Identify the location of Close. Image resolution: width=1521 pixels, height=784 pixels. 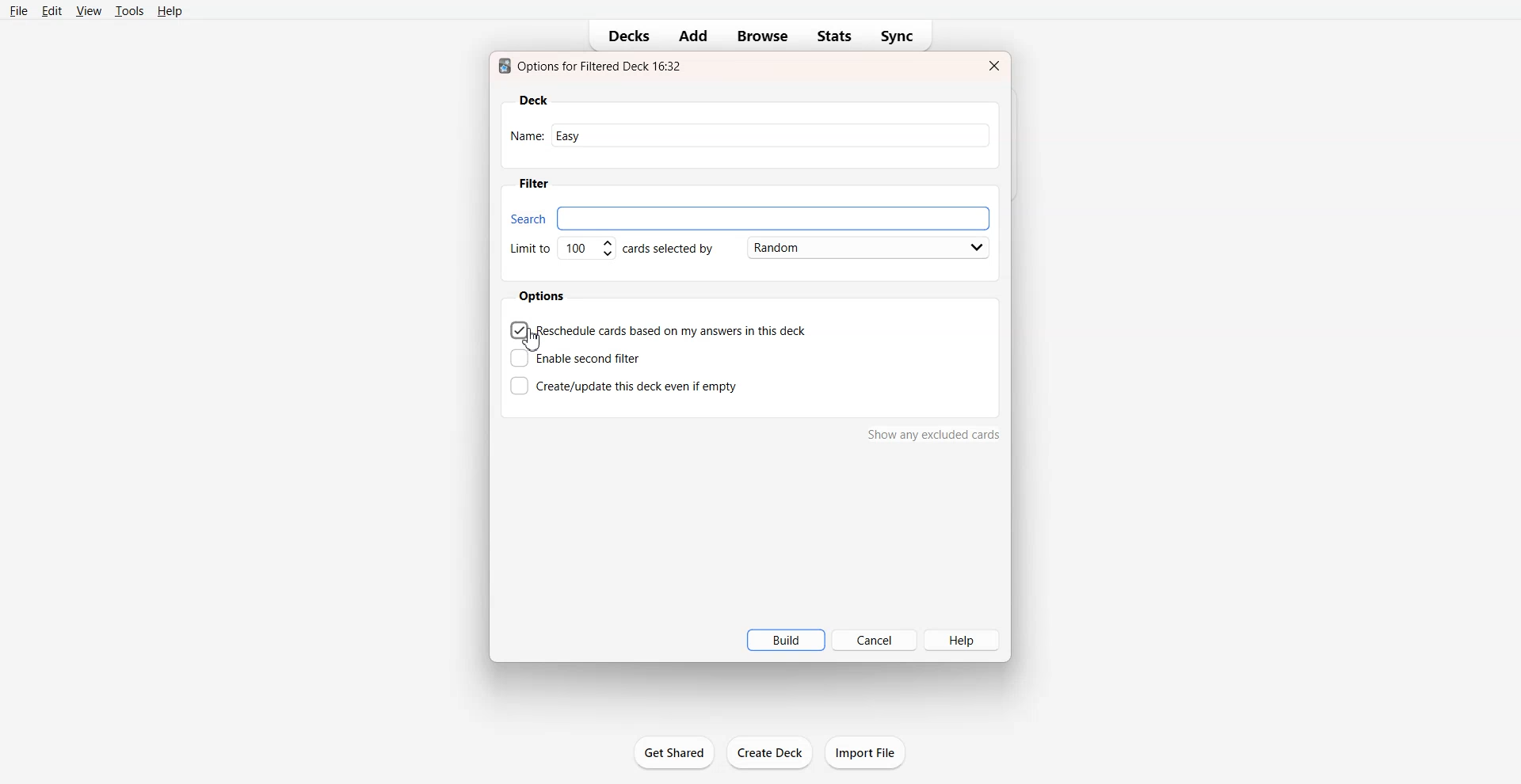
(993, 66).